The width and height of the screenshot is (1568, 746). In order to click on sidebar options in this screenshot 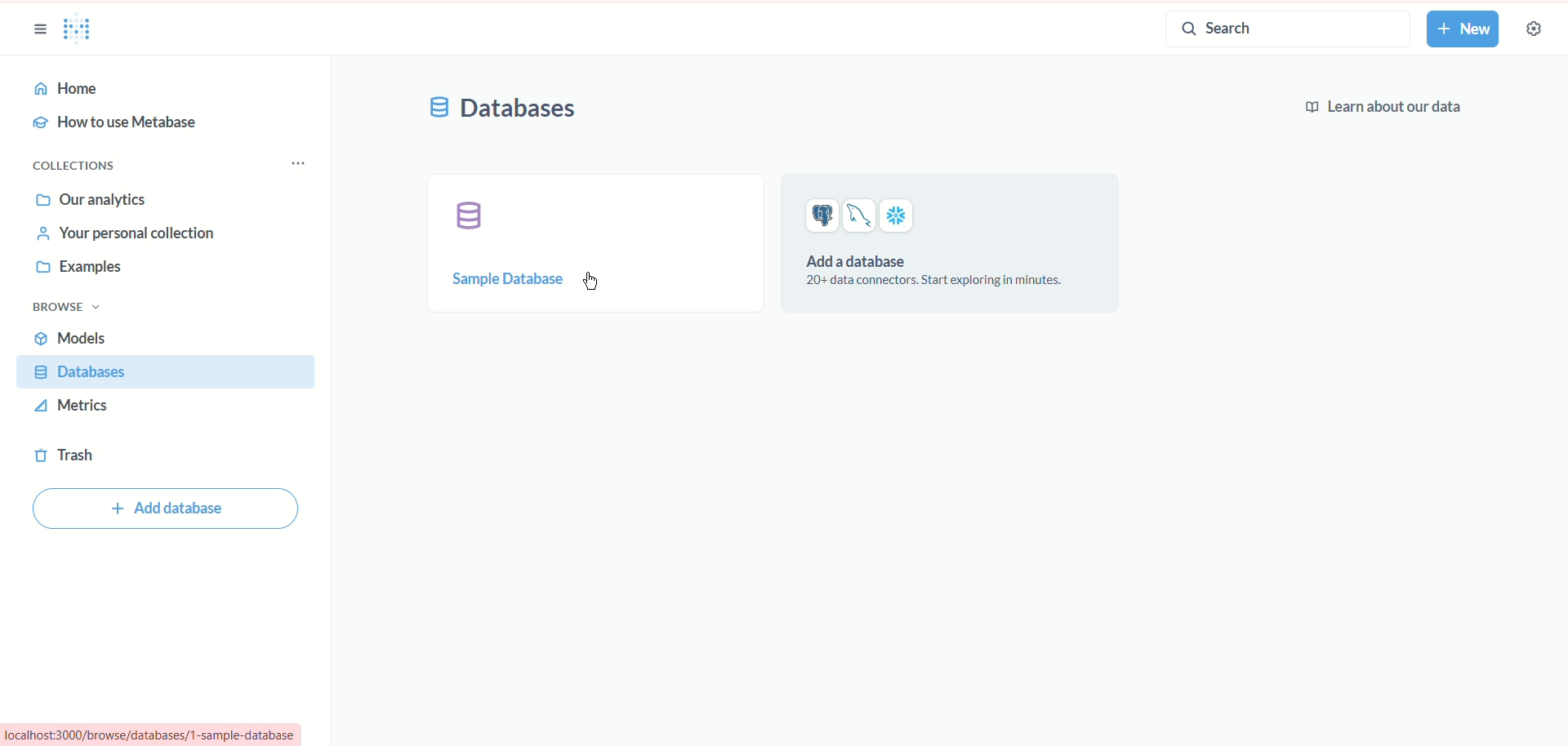, I will do `click(38, 29)`.